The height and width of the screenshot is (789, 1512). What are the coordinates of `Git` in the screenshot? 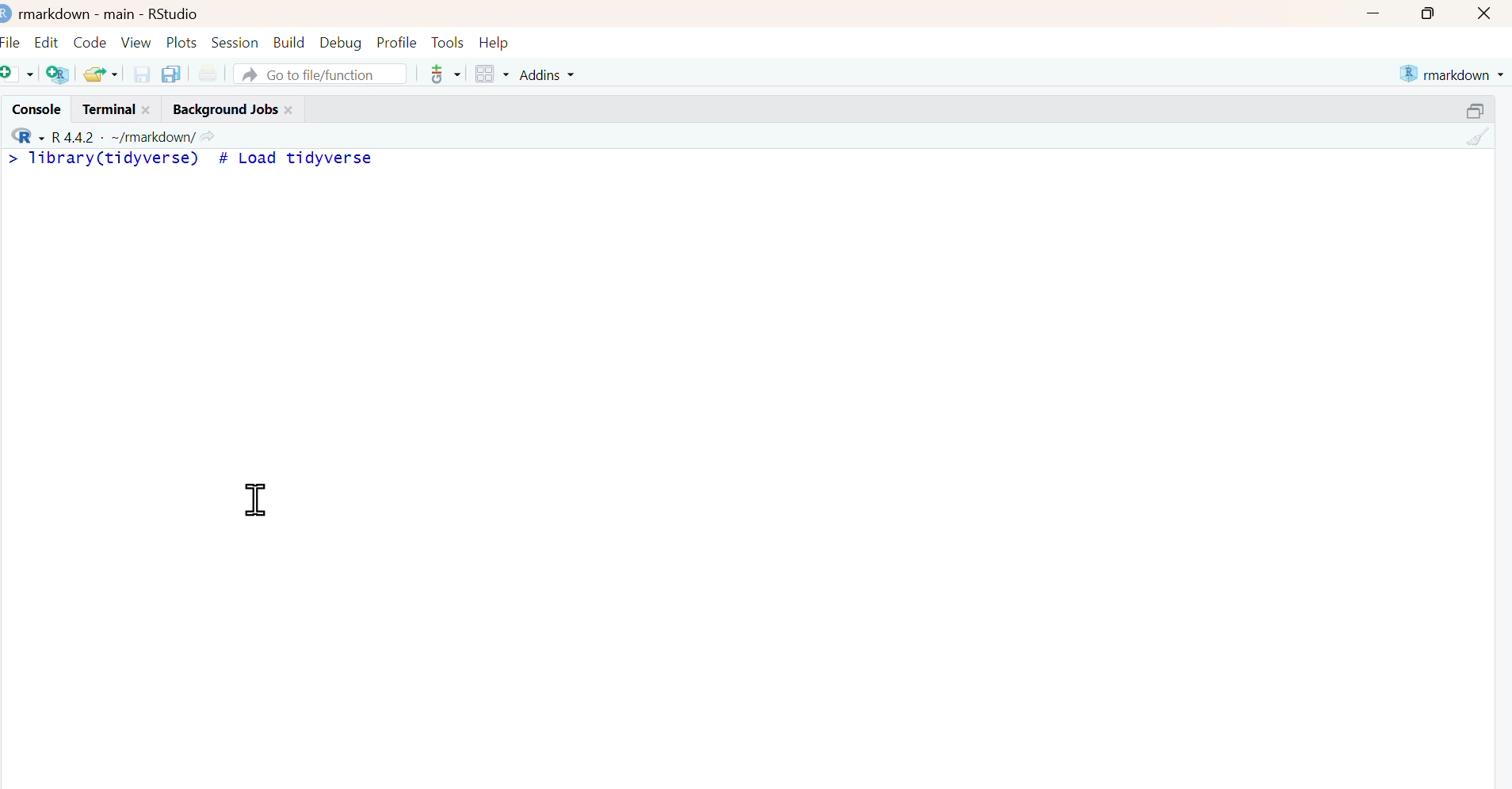 It's located at (444, 75).